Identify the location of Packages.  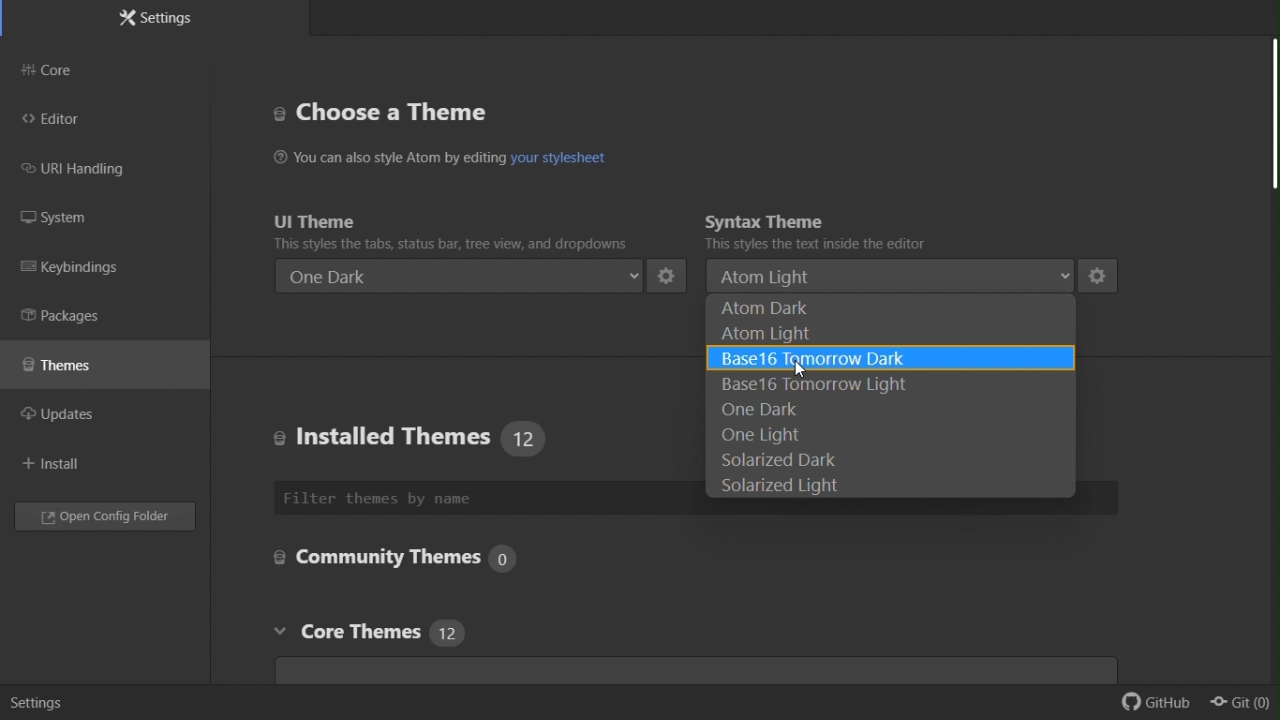
(83, 318).